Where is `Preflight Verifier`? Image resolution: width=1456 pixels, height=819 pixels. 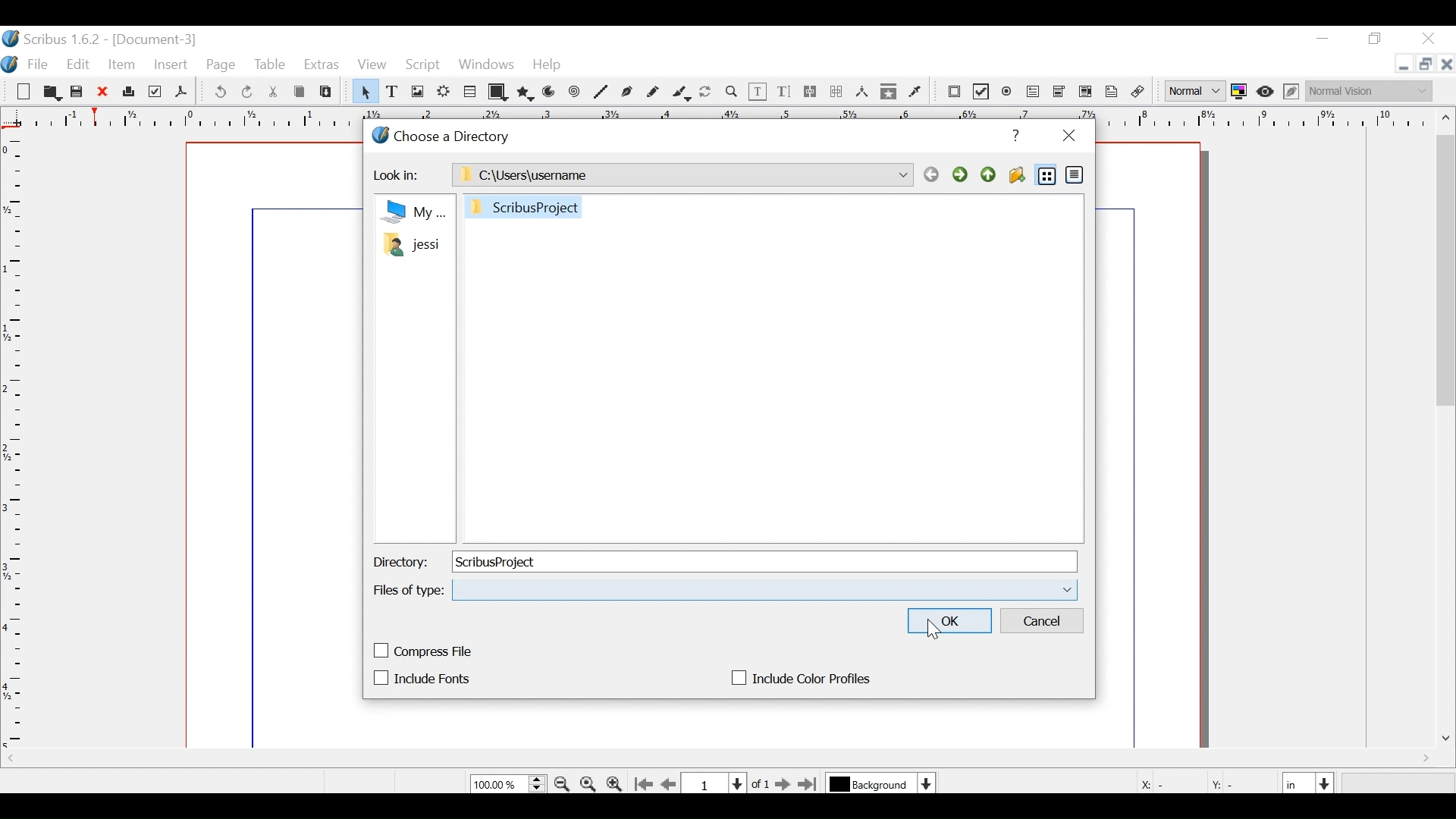
Preflight Verifier is located at coordinates (154, 92).